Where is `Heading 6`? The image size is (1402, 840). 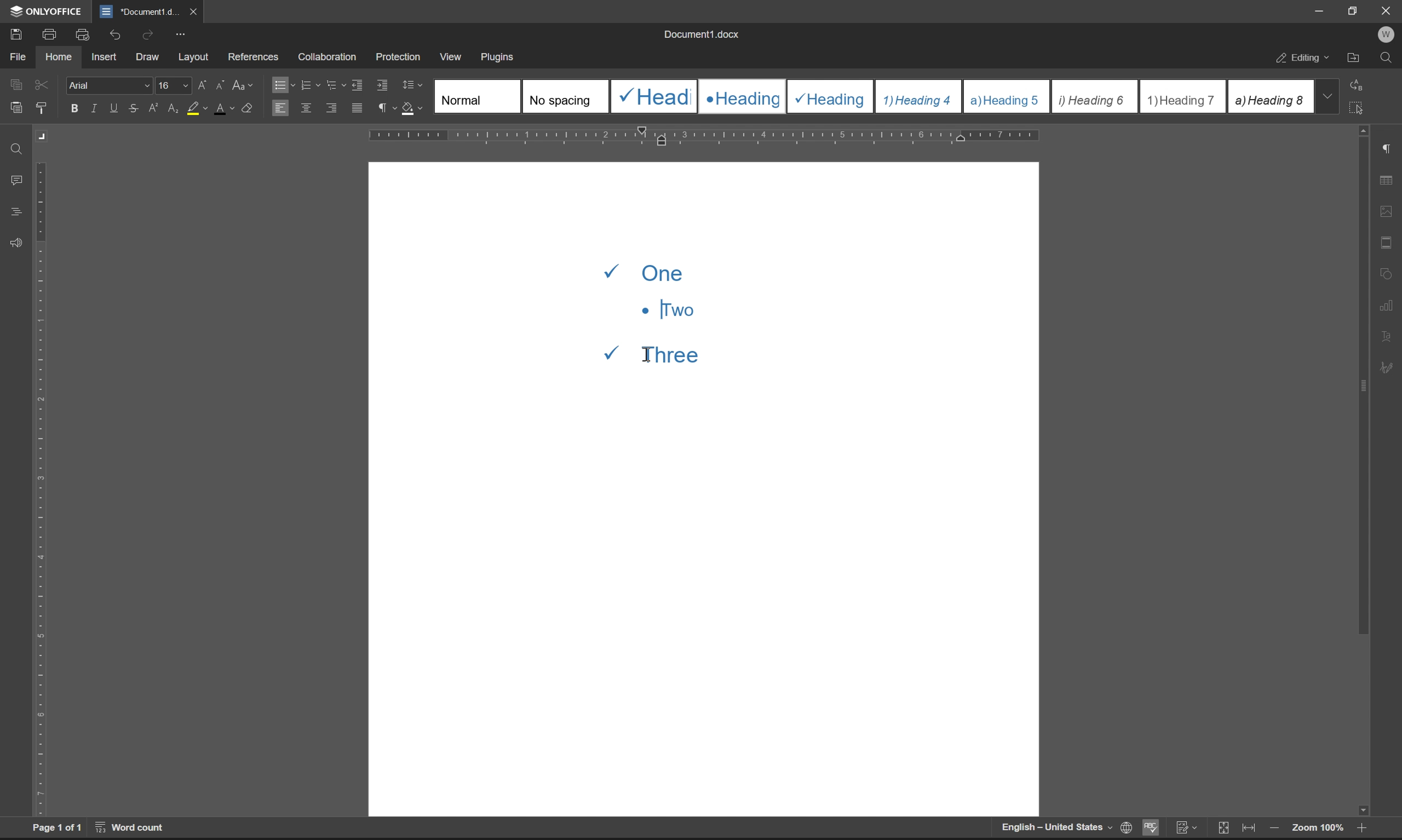 Heading 6 is located at coordinates (1094, 97).